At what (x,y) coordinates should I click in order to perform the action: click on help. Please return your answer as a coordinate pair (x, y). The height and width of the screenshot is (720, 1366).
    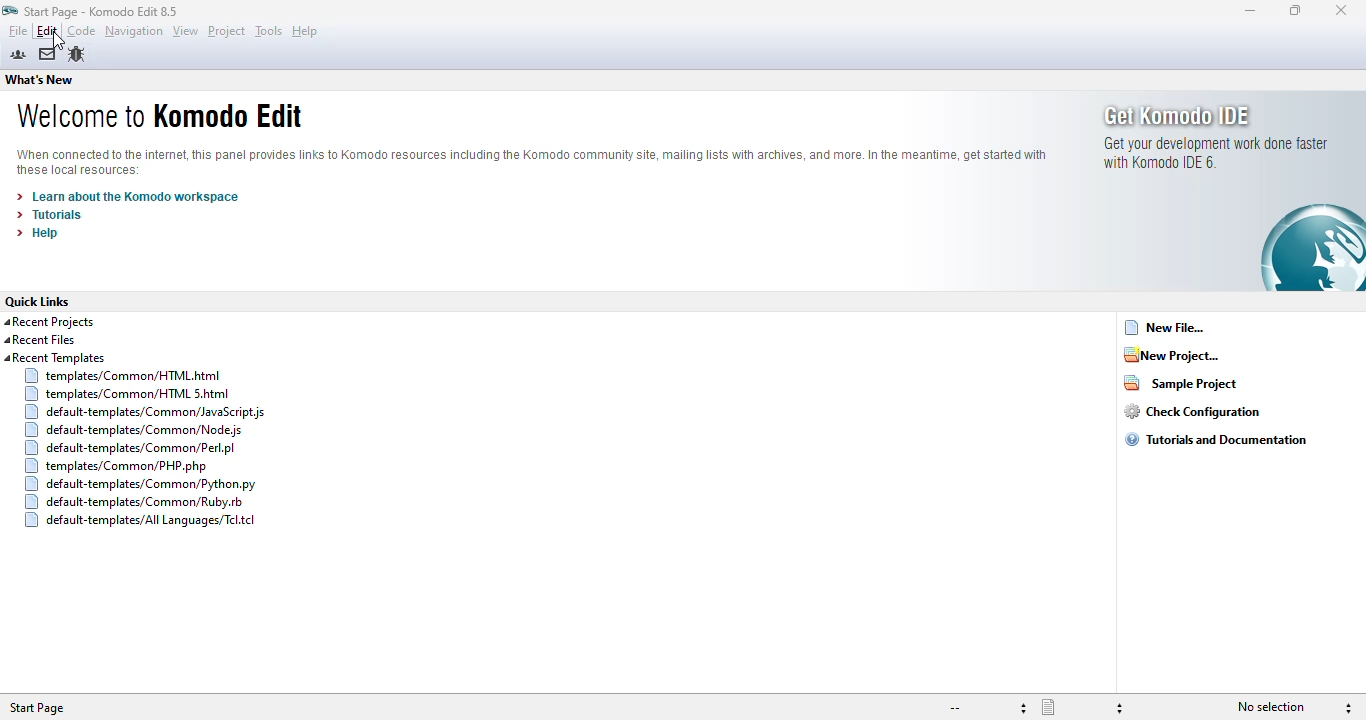
    Looking at the image, I should click on (304, 31).